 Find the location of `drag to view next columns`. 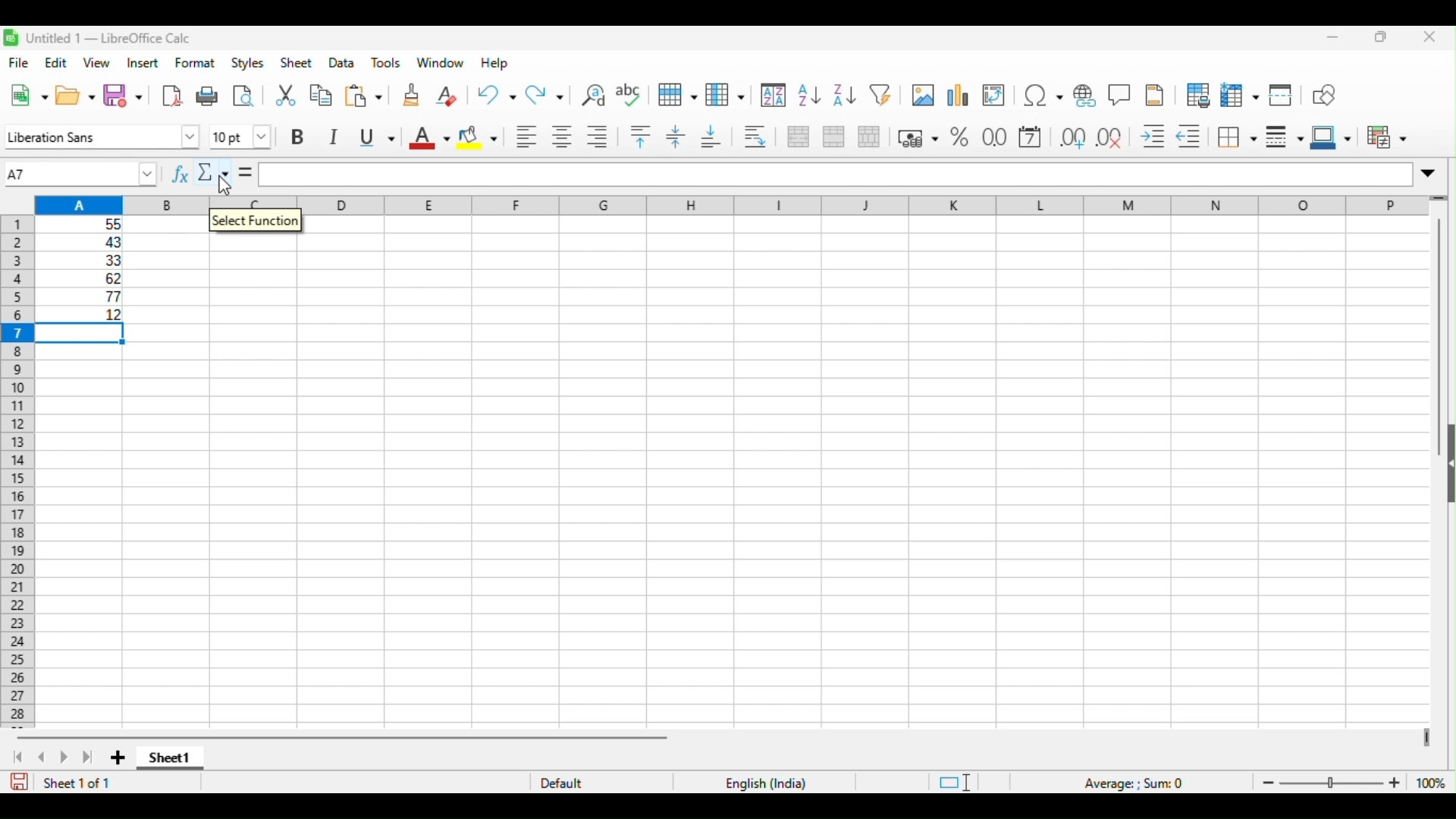

drag to view next columns is located at coordinates (1424, 738).